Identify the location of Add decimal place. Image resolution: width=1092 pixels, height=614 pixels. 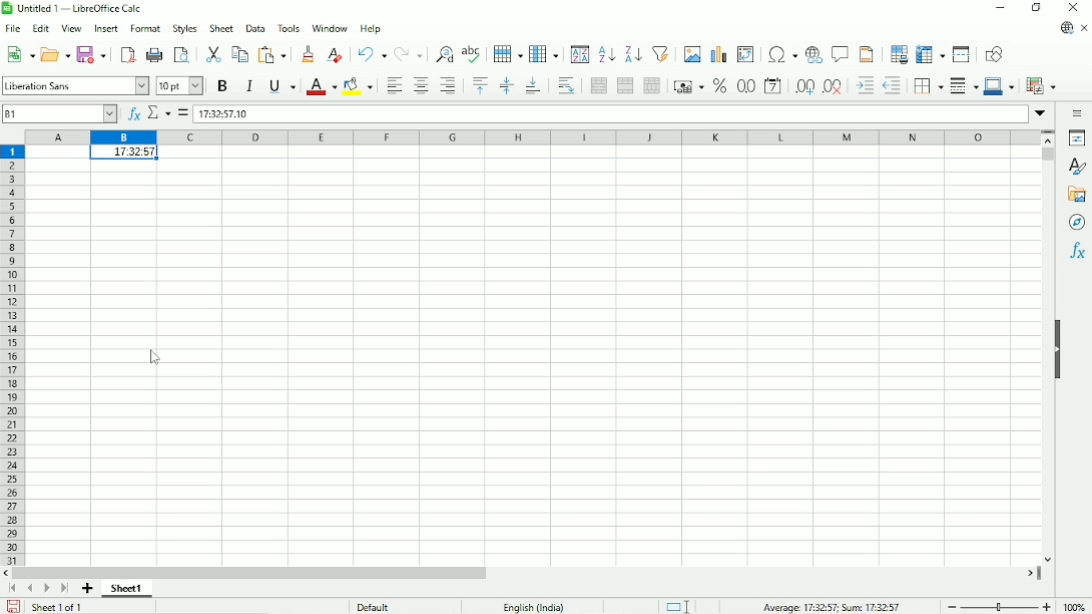
(802, 86).